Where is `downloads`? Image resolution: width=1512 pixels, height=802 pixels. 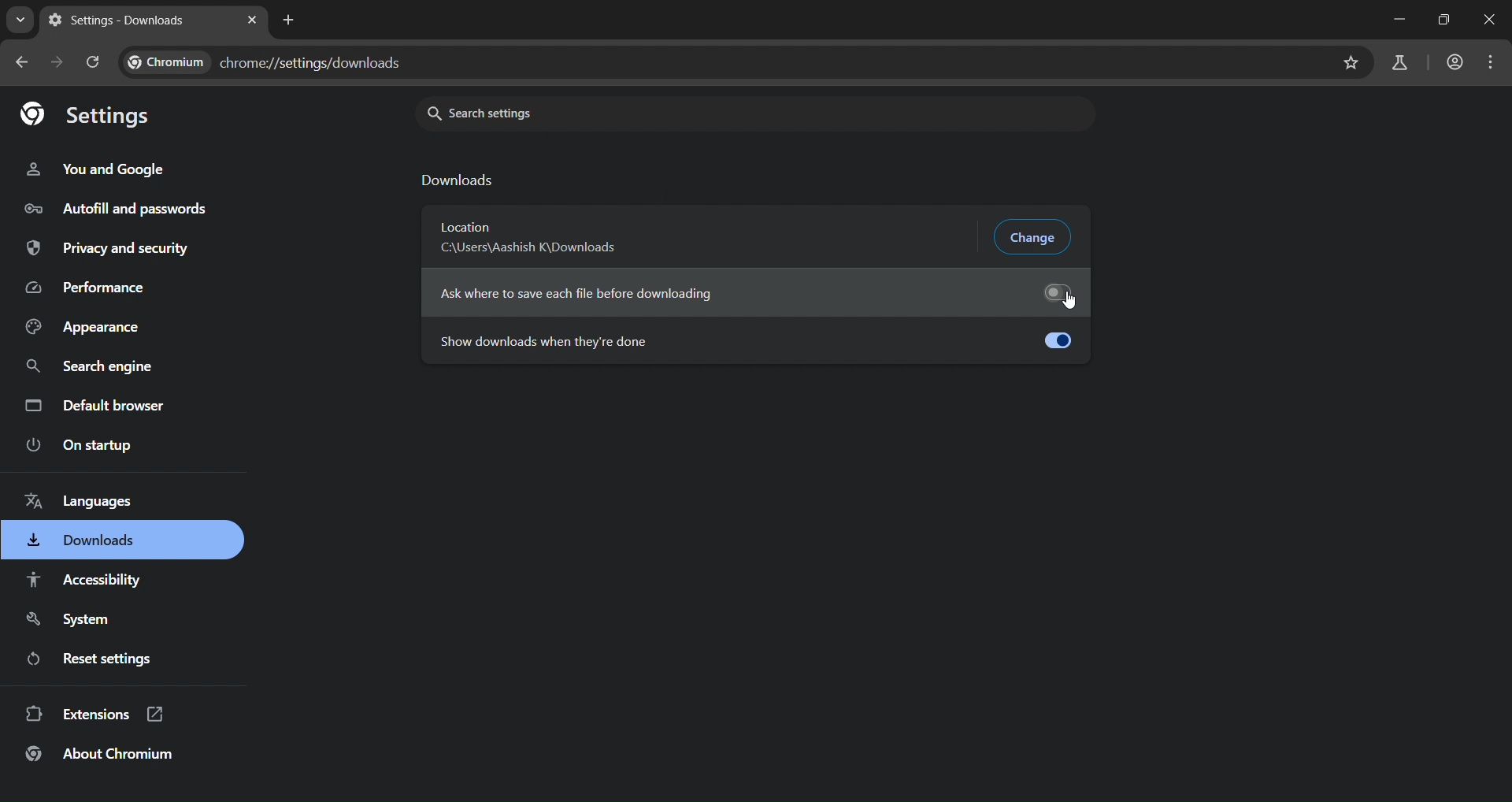 downloads is located at coordinates (83, 543).